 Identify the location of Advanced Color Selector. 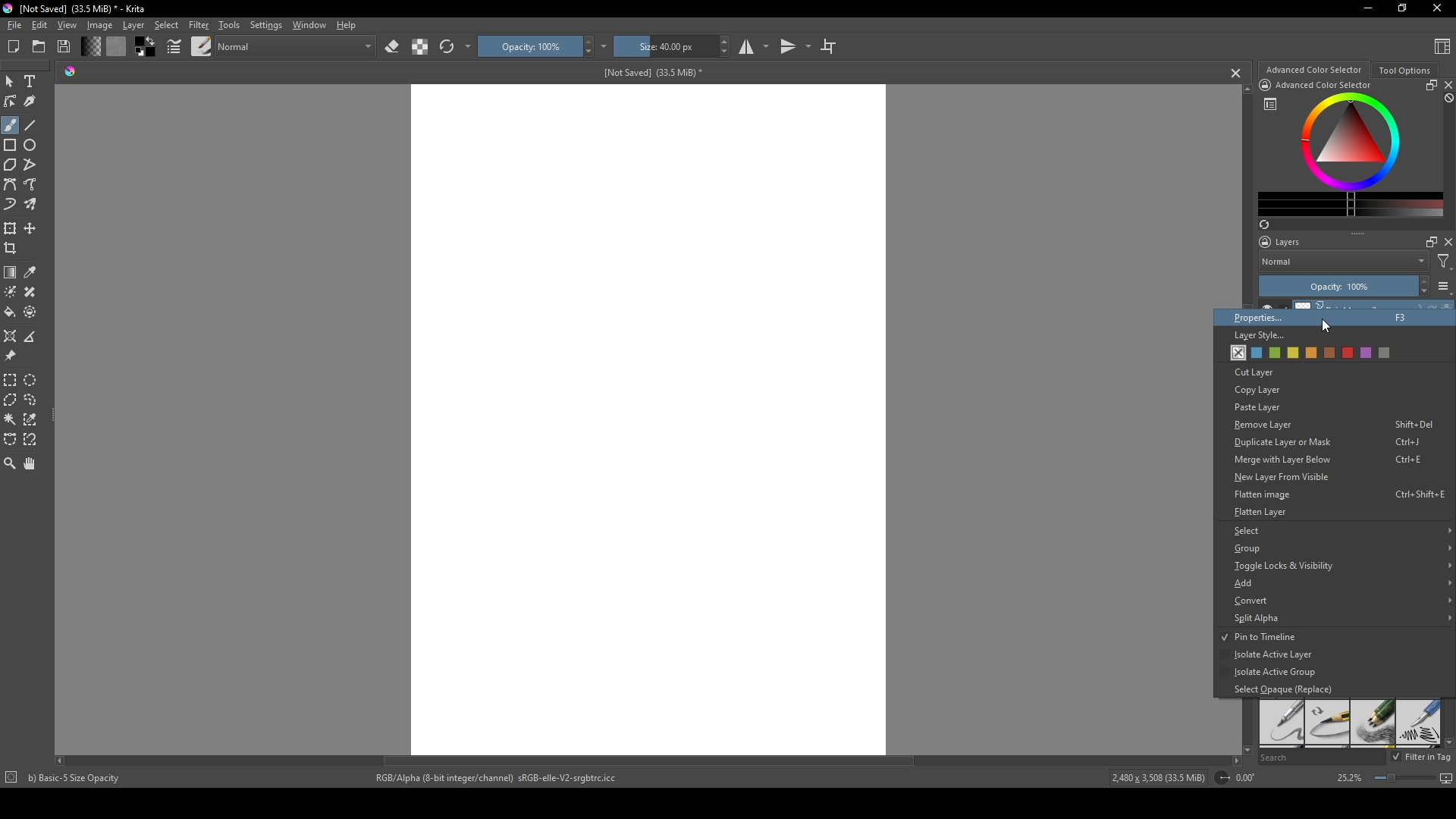
(1324, 86).